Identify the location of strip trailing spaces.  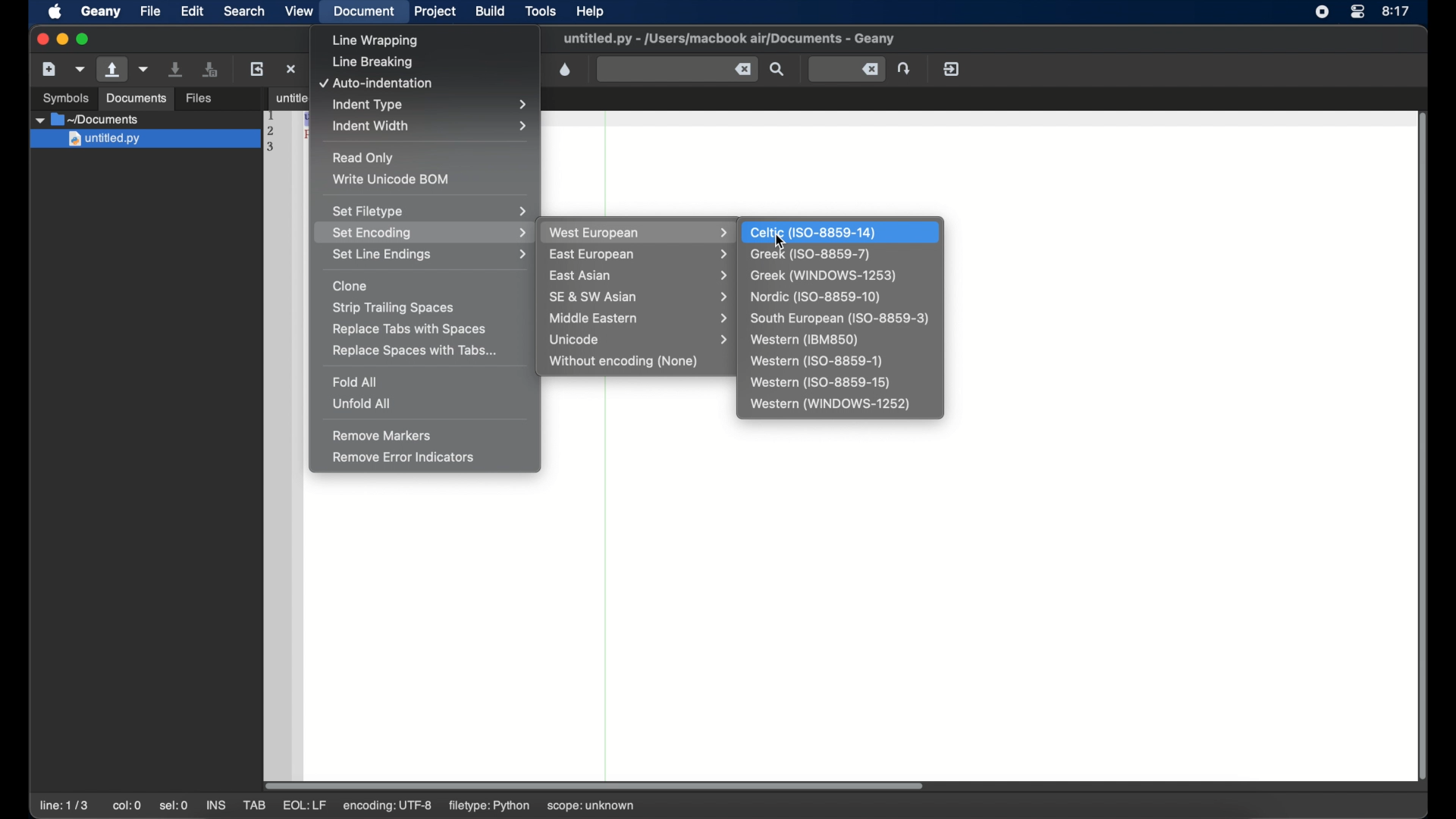
(394, 309).